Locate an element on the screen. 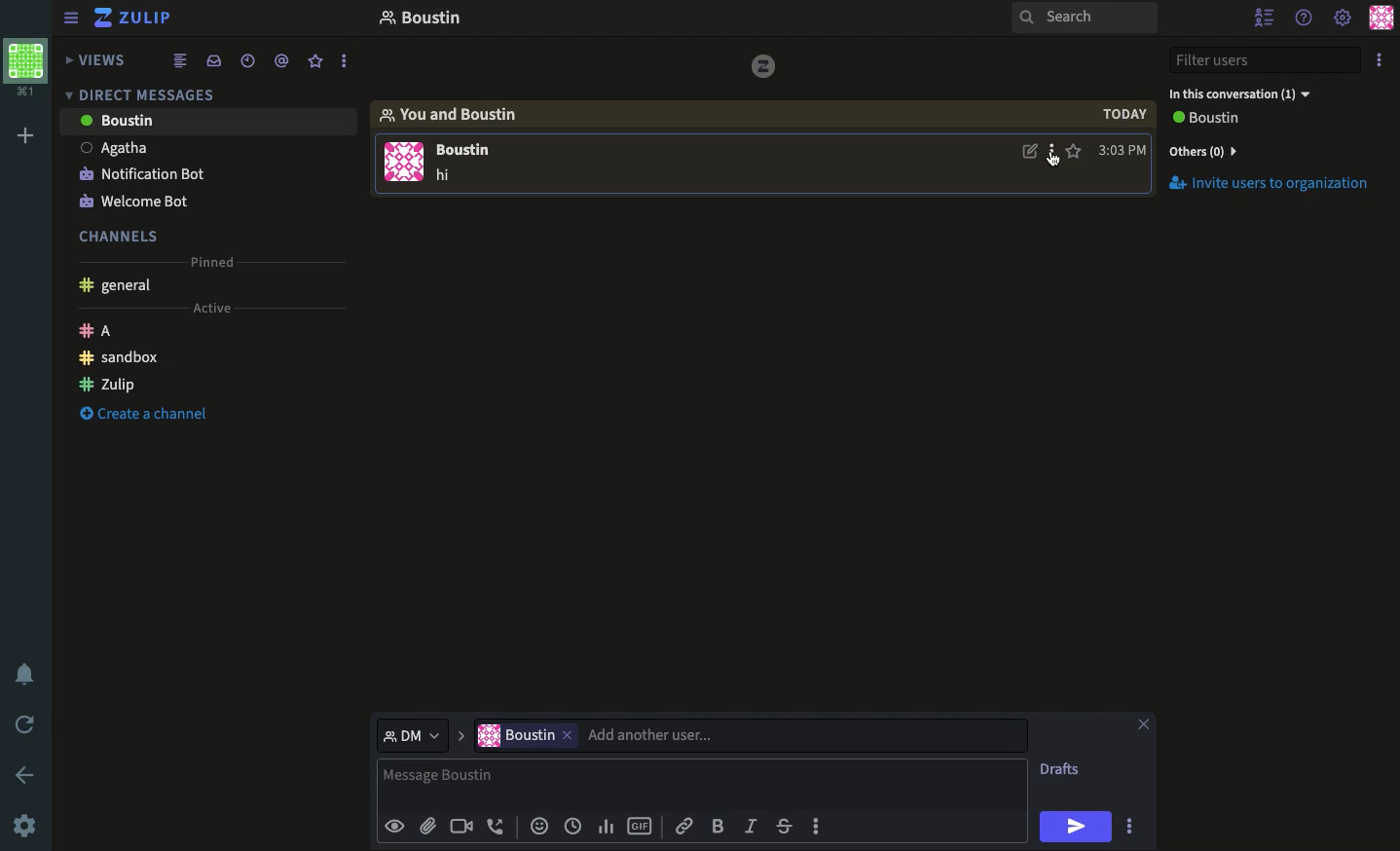  Drafts is located at coordinates (1062, 768).